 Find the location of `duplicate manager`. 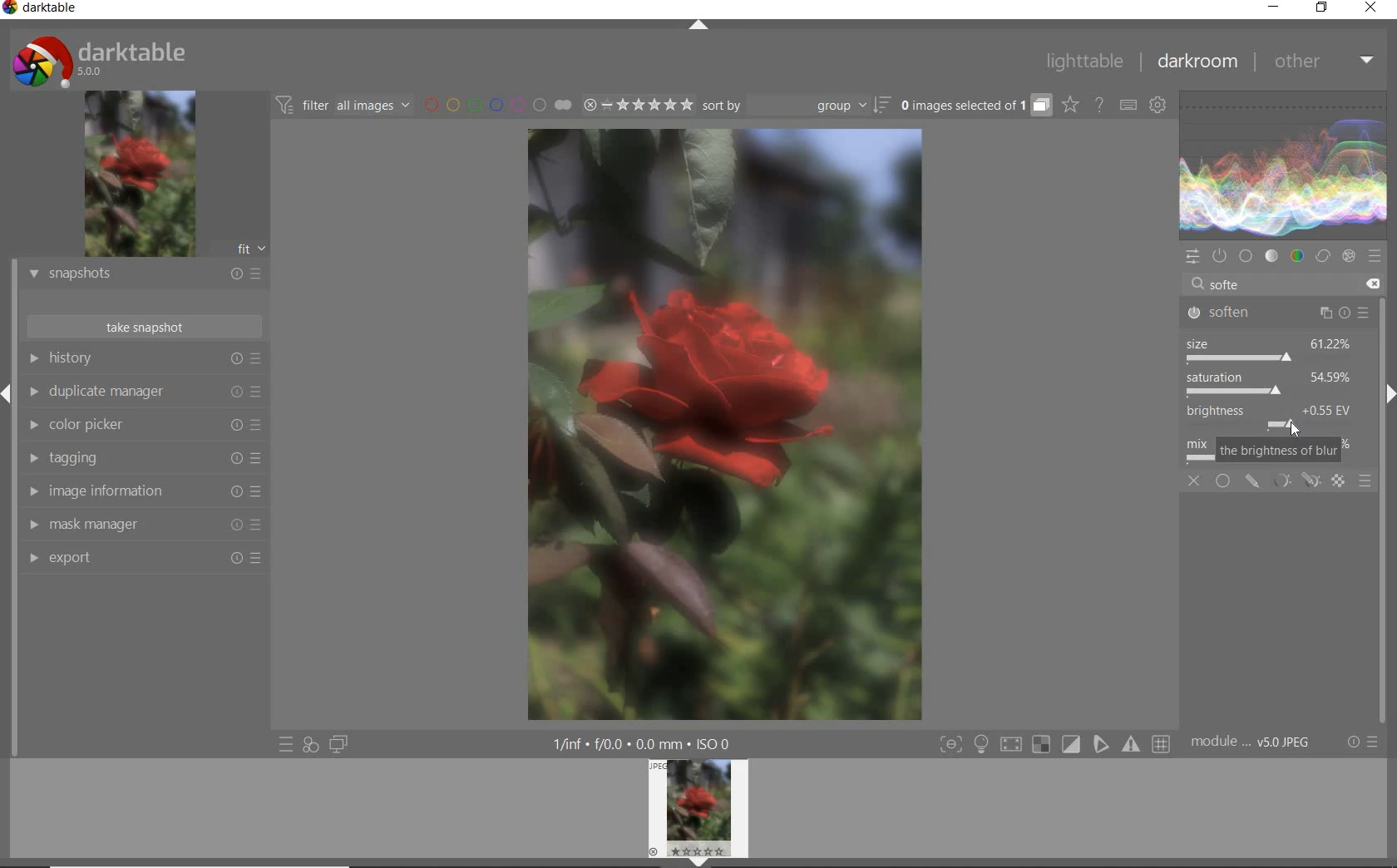

duplicate manager is located at coordinates (143, 392).